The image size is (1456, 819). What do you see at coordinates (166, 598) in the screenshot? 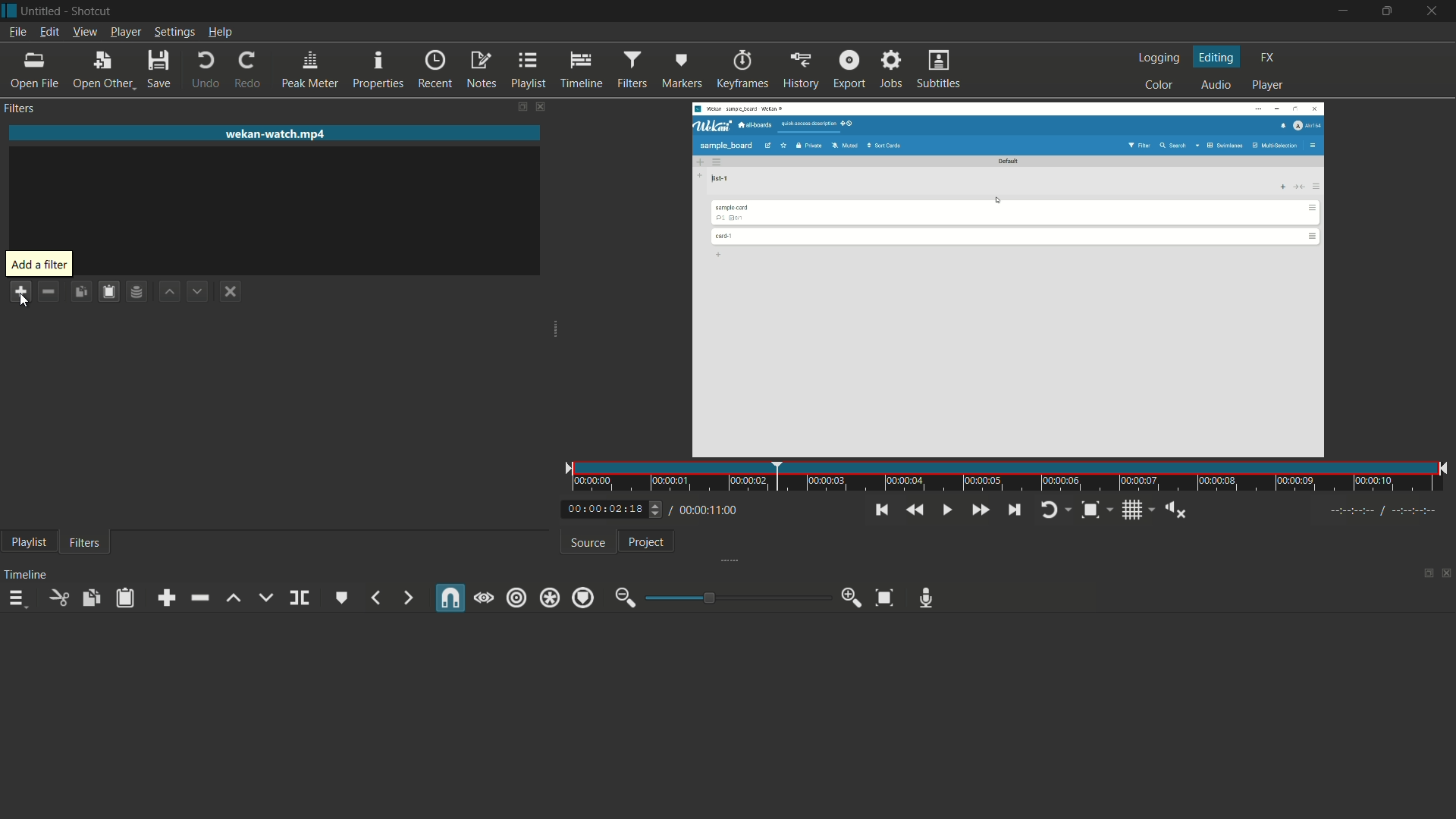
I see `append` at bounding box center [166, 598].